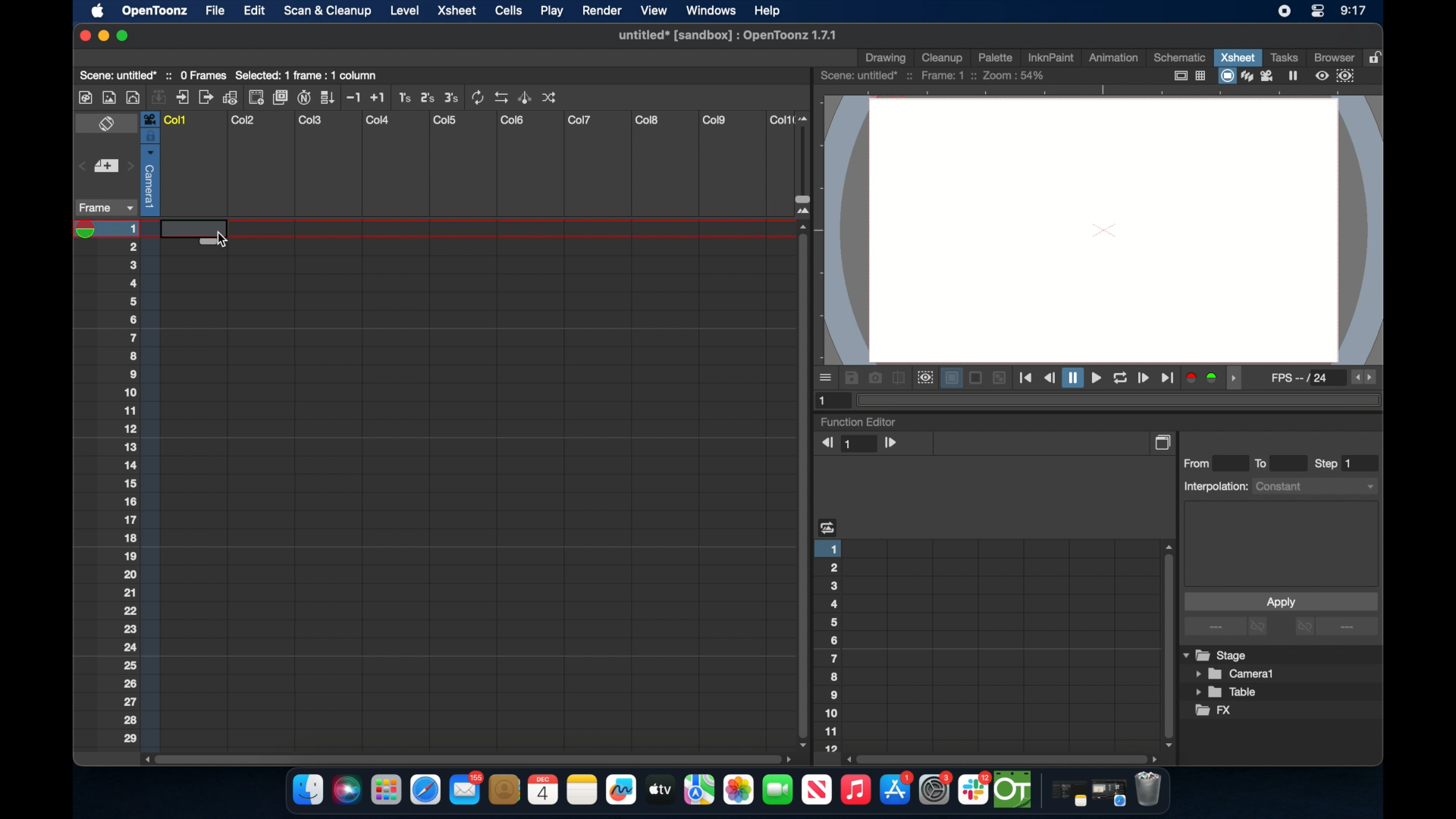  Describe the element at coordinates (808, 165) in the screenshot. I see `slider` at that location.